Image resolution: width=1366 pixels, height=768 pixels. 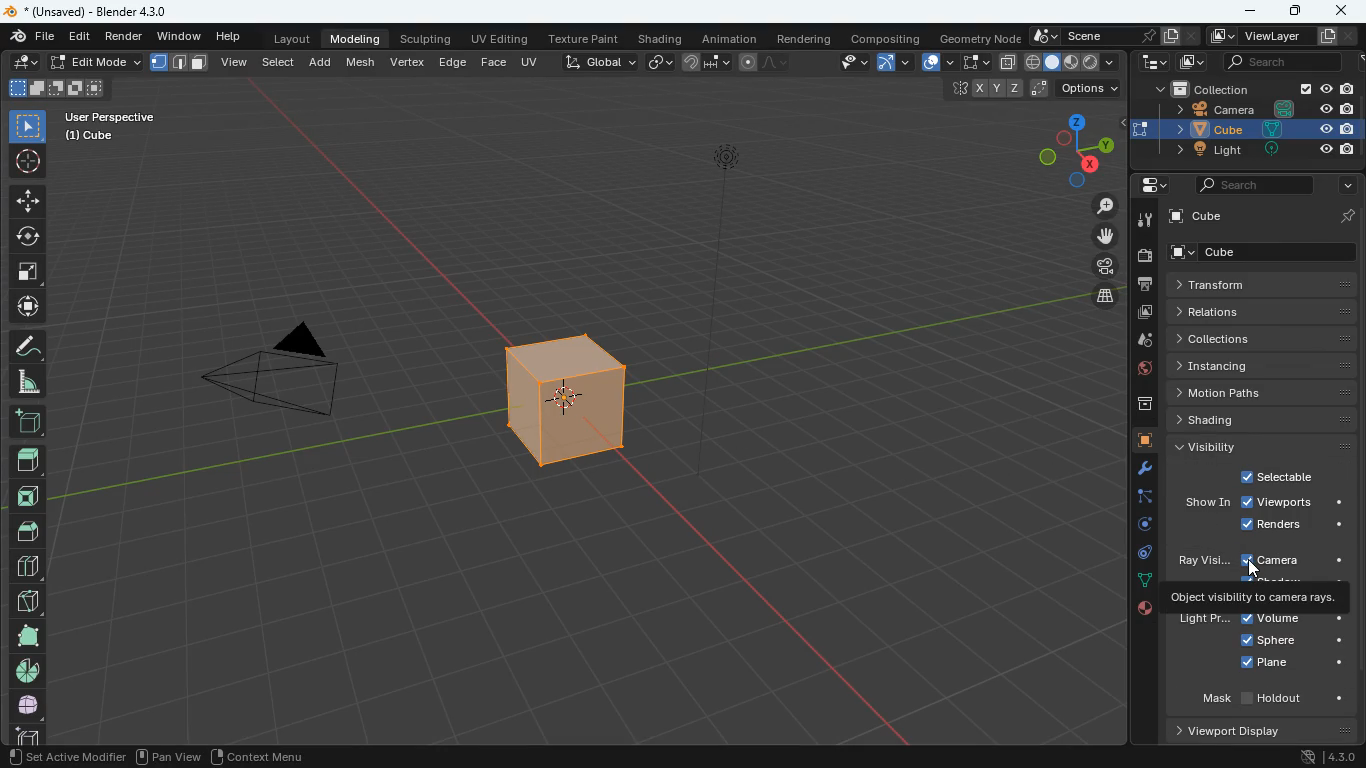 I want to click on view, so click(x=235, y=63).